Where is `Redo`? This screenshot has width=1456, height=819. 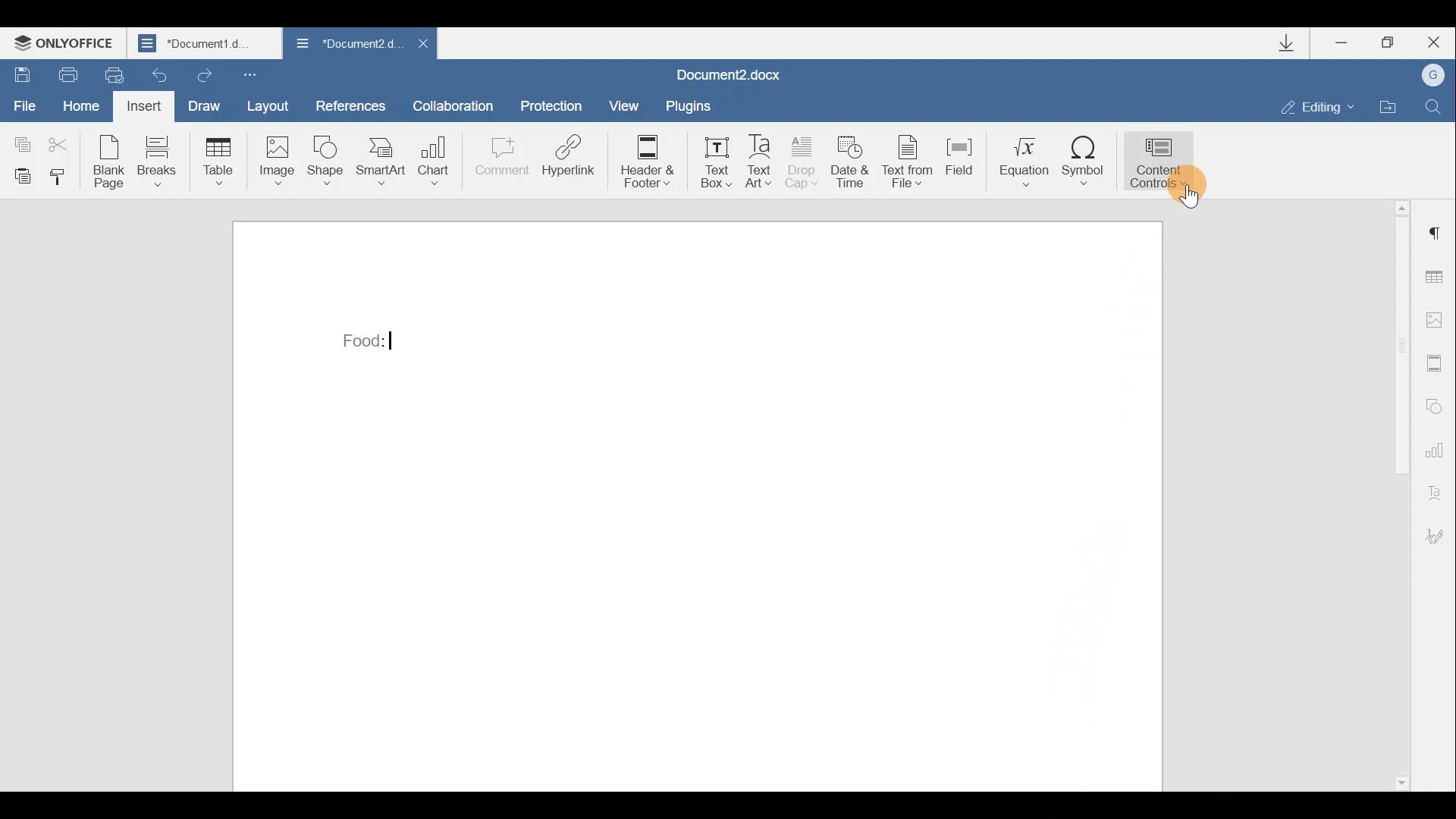
Redo is located at coordinates (202, 72).